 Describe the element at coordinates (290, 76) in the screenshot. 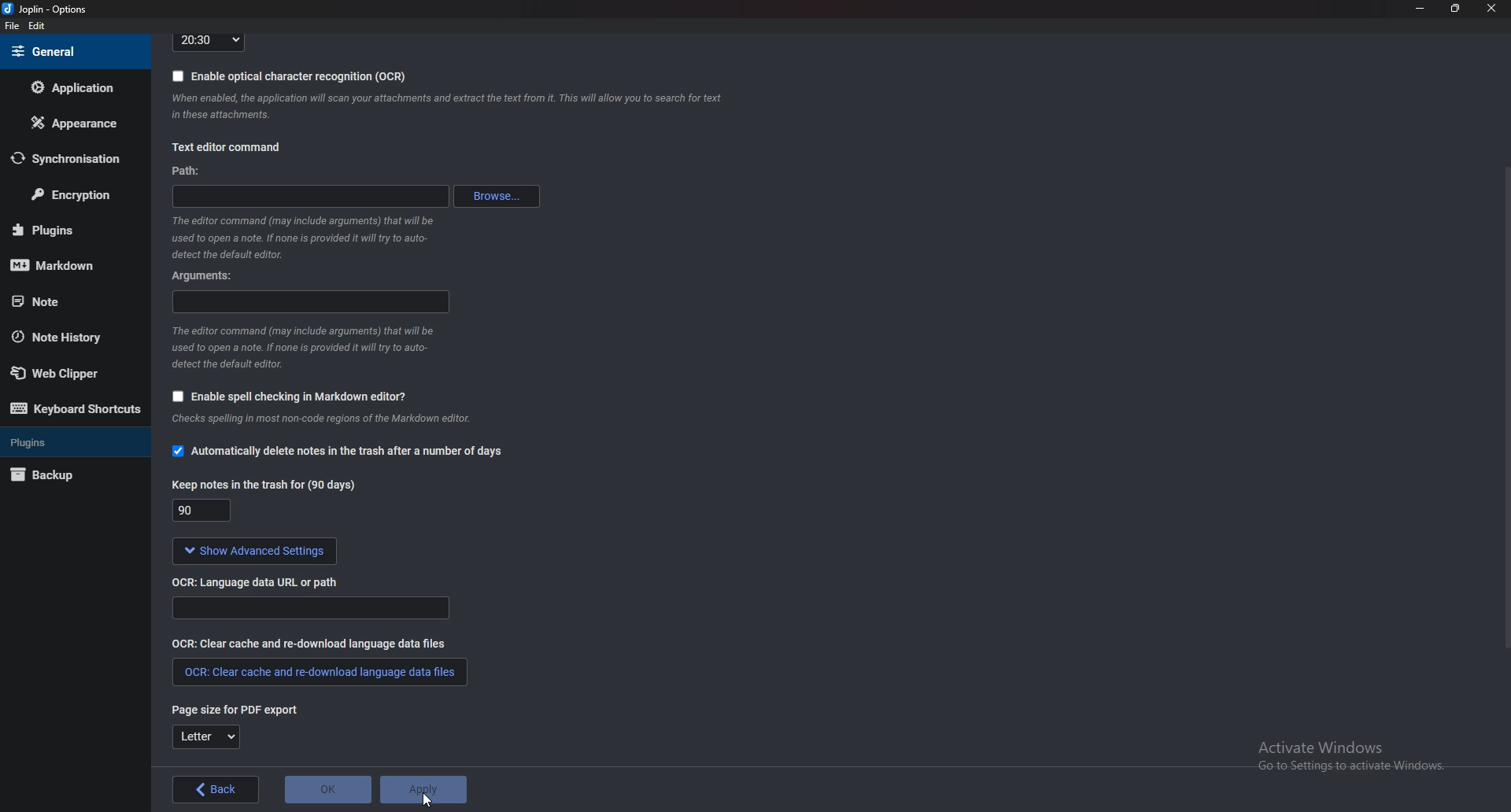

I see `Enable O C R` at that location.